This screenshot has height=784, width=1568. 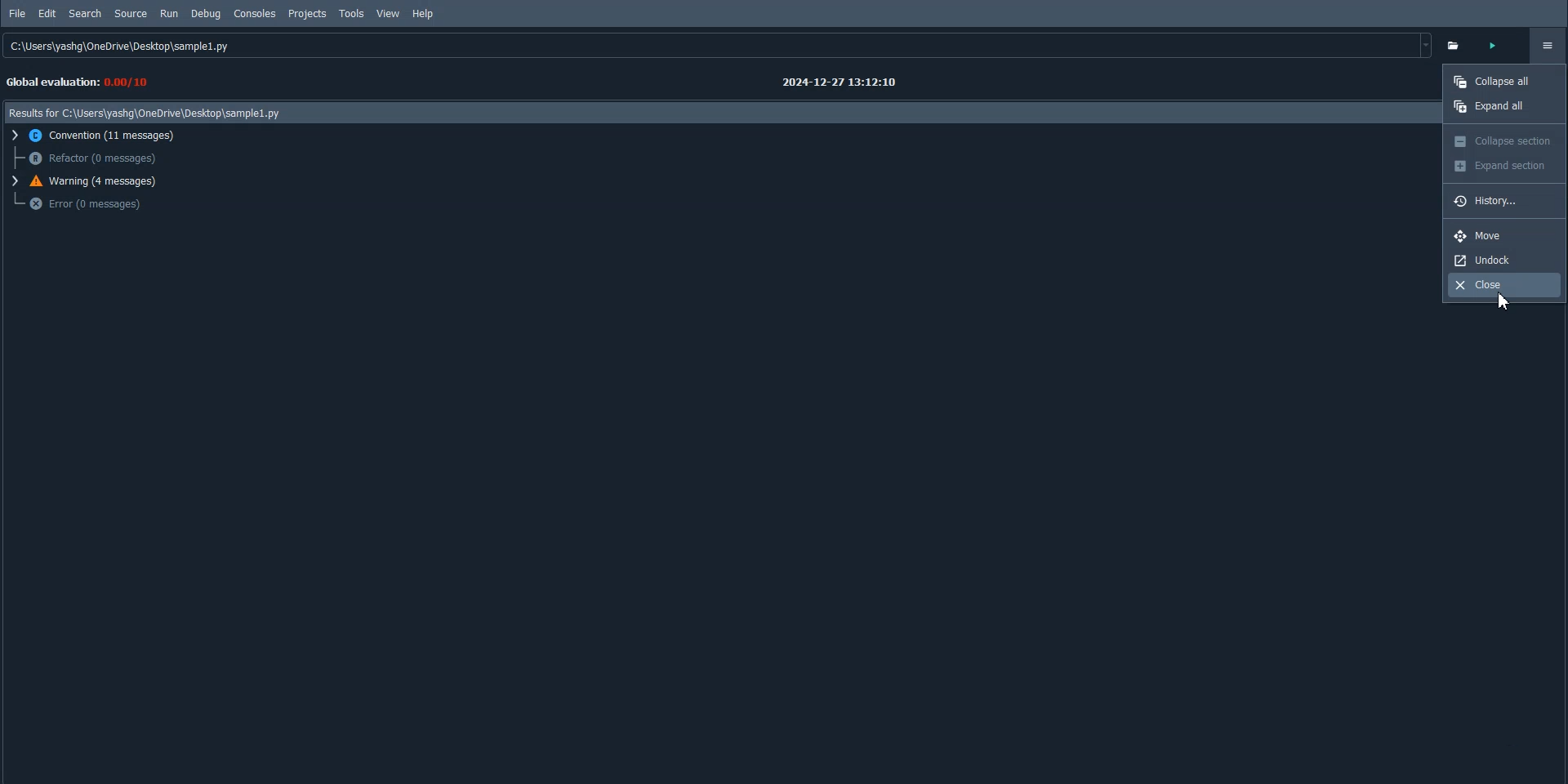 I want to click on Run code analysis, so click(x=1500, y=45).